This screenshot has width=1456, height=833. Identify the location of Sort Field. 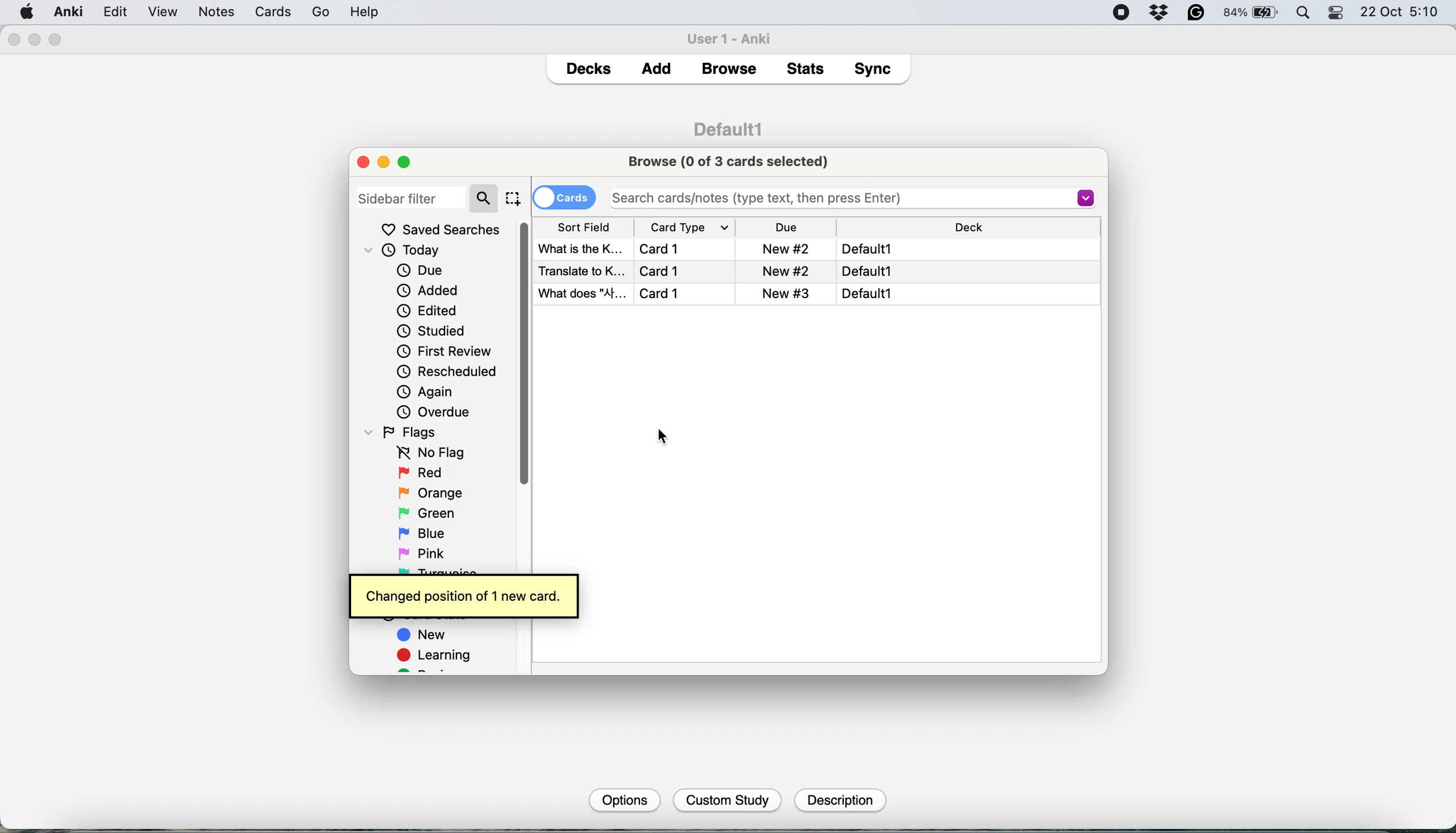
(584, 227).